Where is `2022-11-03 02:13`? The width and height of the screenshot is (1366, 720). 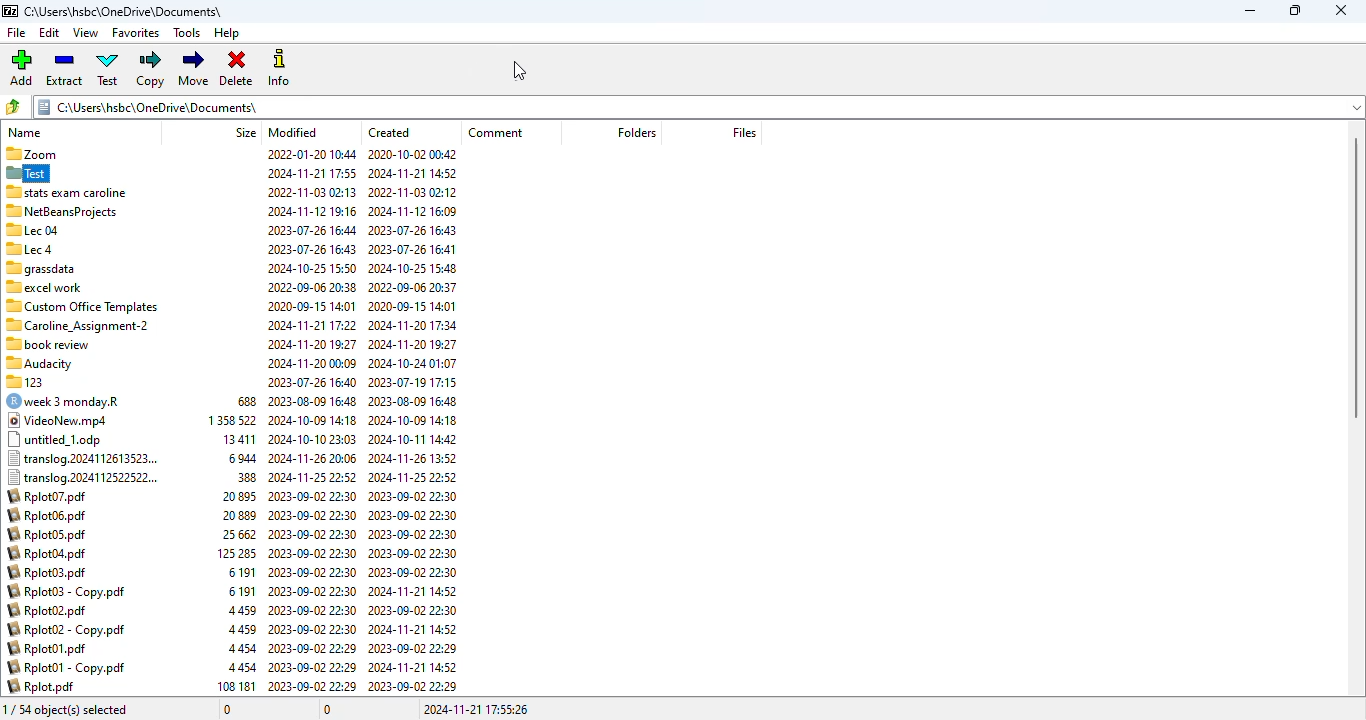 2022-11-03 02:13 is located at coordinates (312, 192).